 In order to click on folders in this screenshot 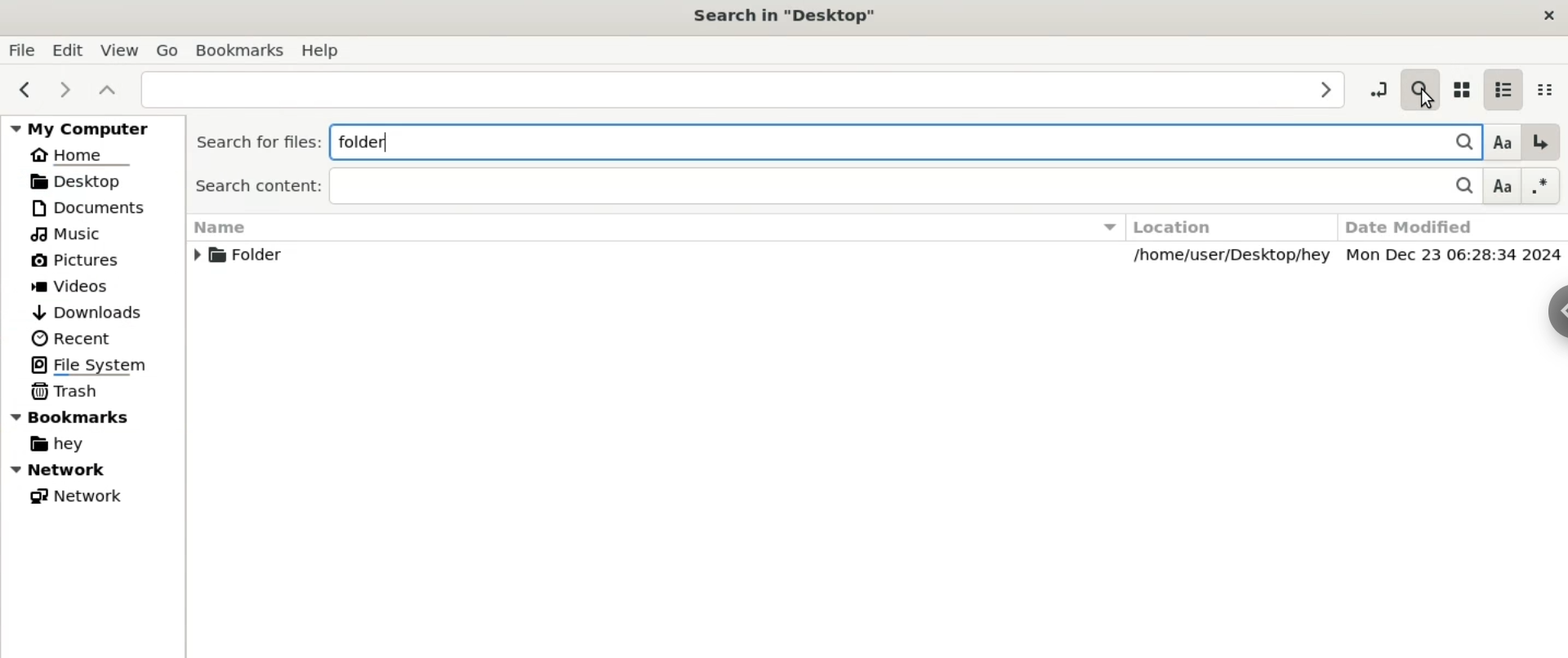, I will do `click(870, 140)`.